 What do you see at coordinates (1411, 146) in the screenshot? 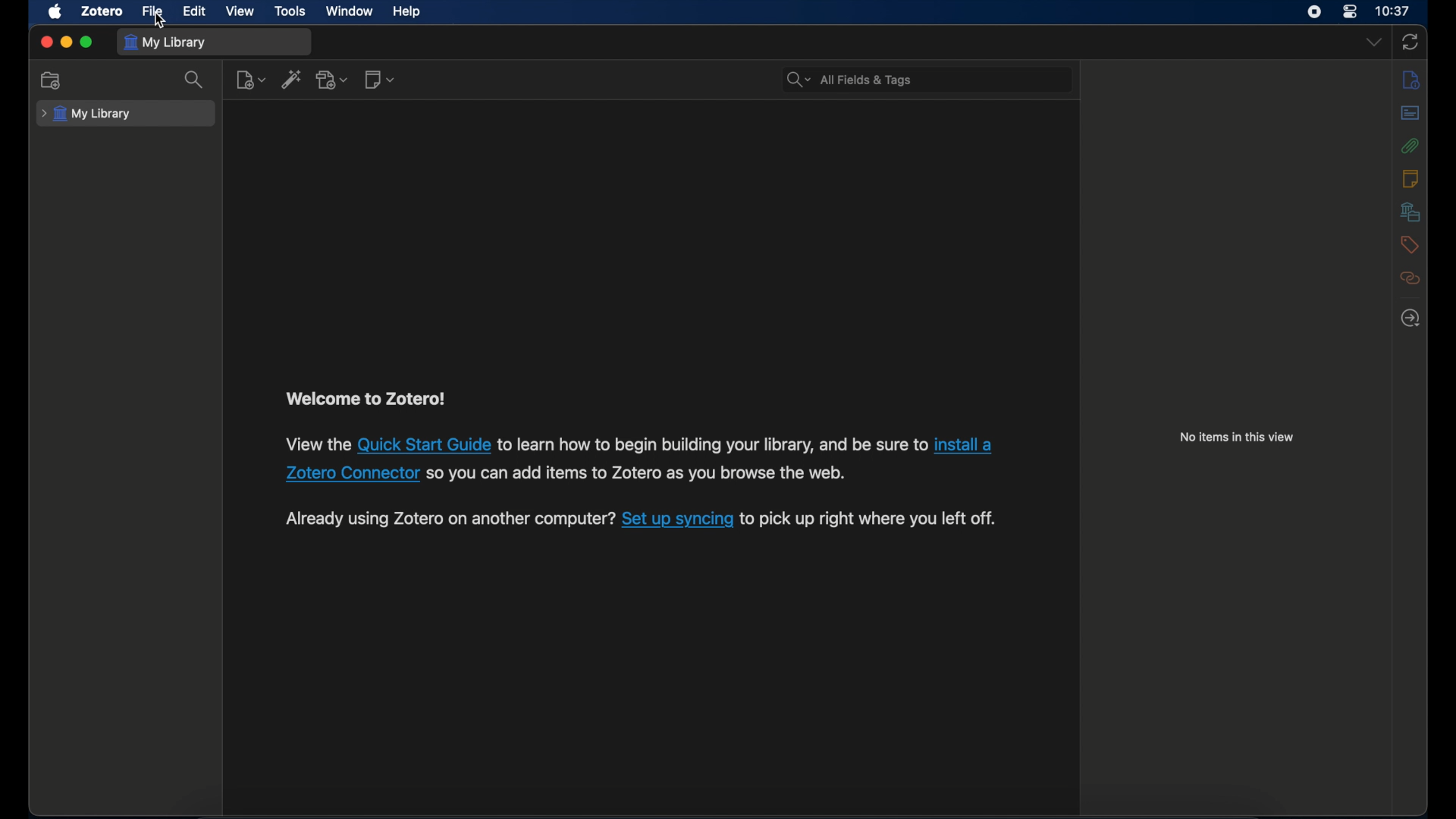
I see `attachments` at bounding box center [1411, 146].